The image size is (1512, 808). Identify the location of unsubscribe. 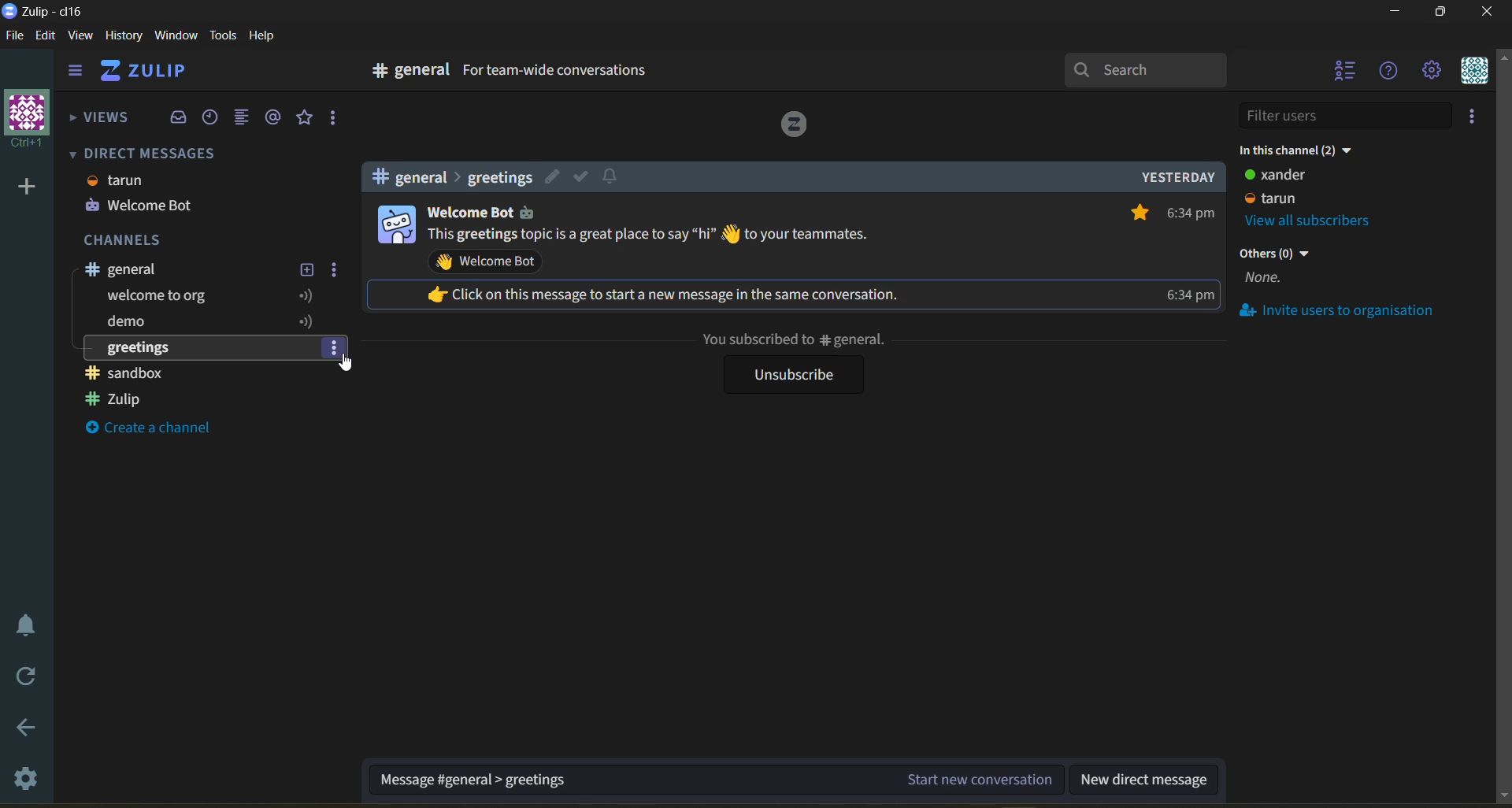
(790, 375).